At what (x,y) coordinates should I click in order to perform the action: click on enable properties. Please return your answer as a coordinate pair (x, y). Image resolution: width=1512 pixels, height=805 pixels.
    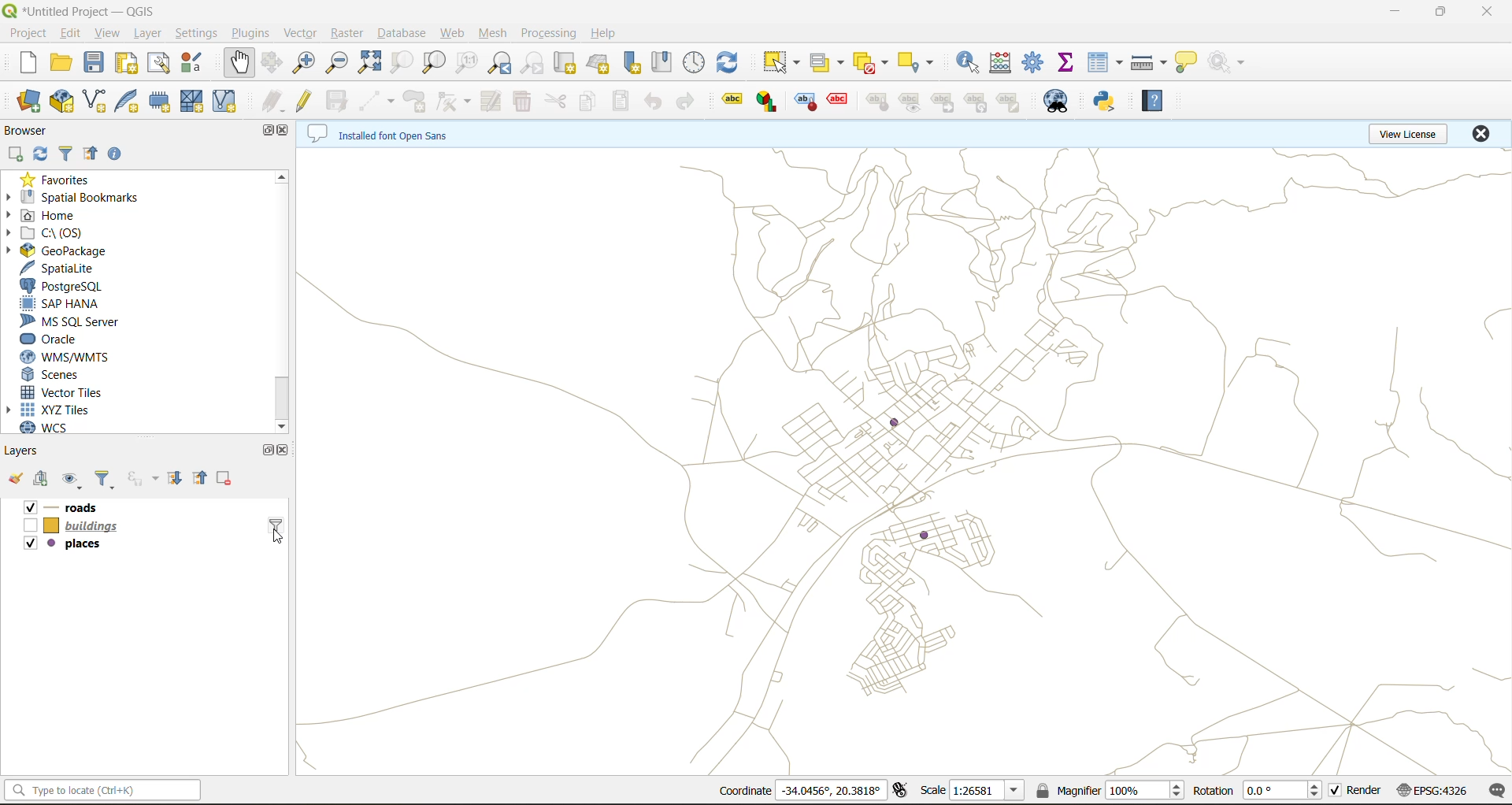
    Looking at the image, I should click on (117, 153).